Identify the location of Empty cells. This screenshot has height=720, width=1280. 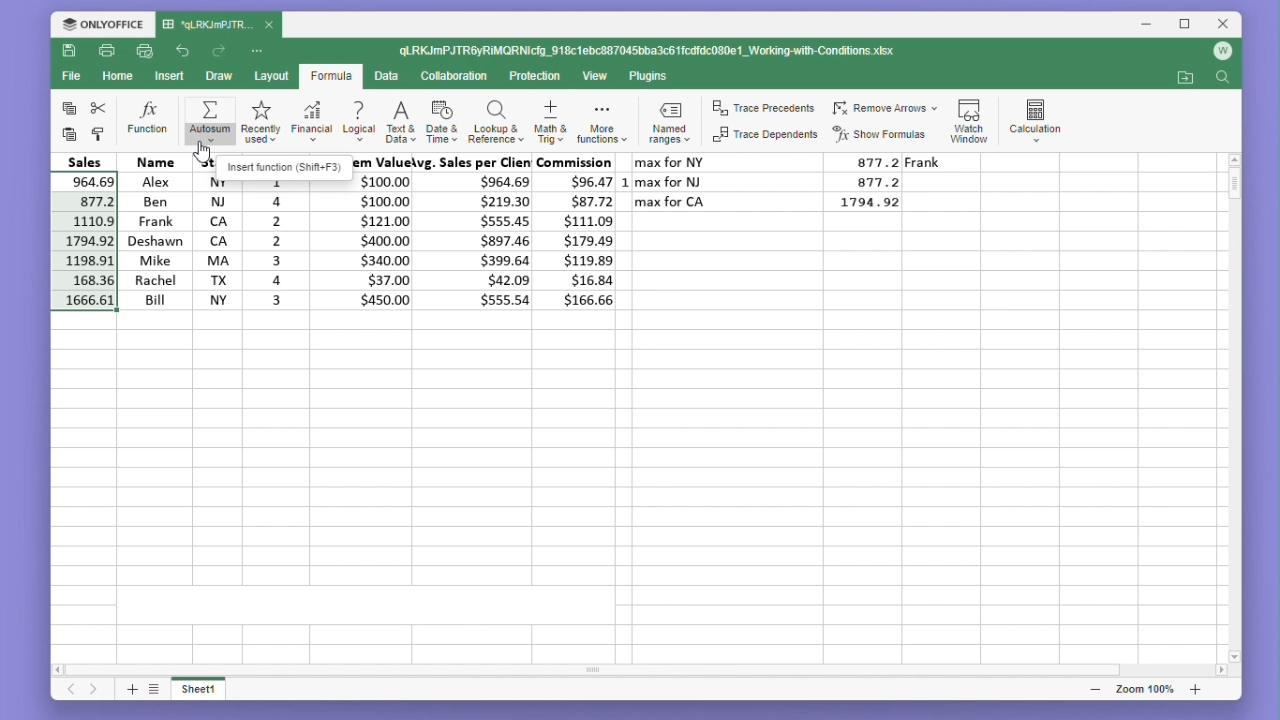
(628, 481).